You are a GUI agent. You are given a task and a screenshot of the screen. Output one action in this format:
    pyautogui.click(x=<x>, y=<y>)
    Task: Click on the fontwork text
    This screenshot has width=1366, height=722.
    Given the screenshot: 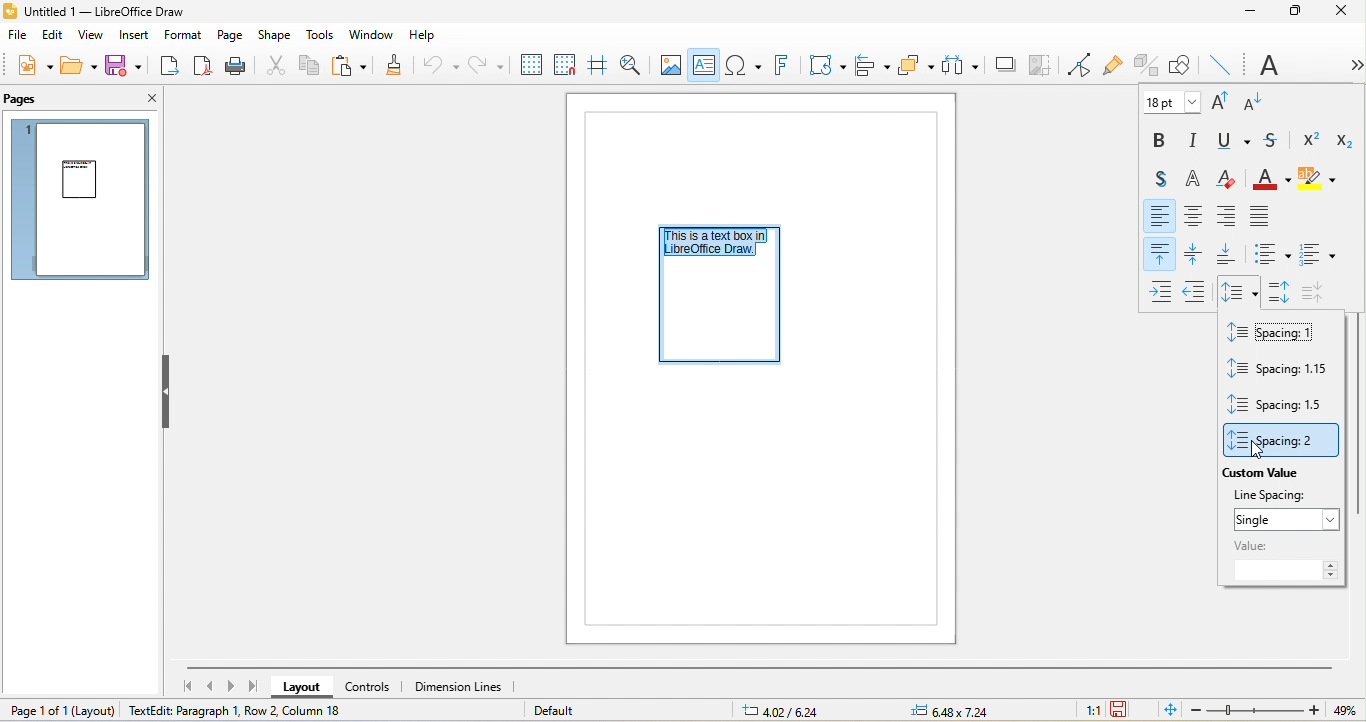 What is the action you would take?
    pyautogui.click(x=780, y=67)
    